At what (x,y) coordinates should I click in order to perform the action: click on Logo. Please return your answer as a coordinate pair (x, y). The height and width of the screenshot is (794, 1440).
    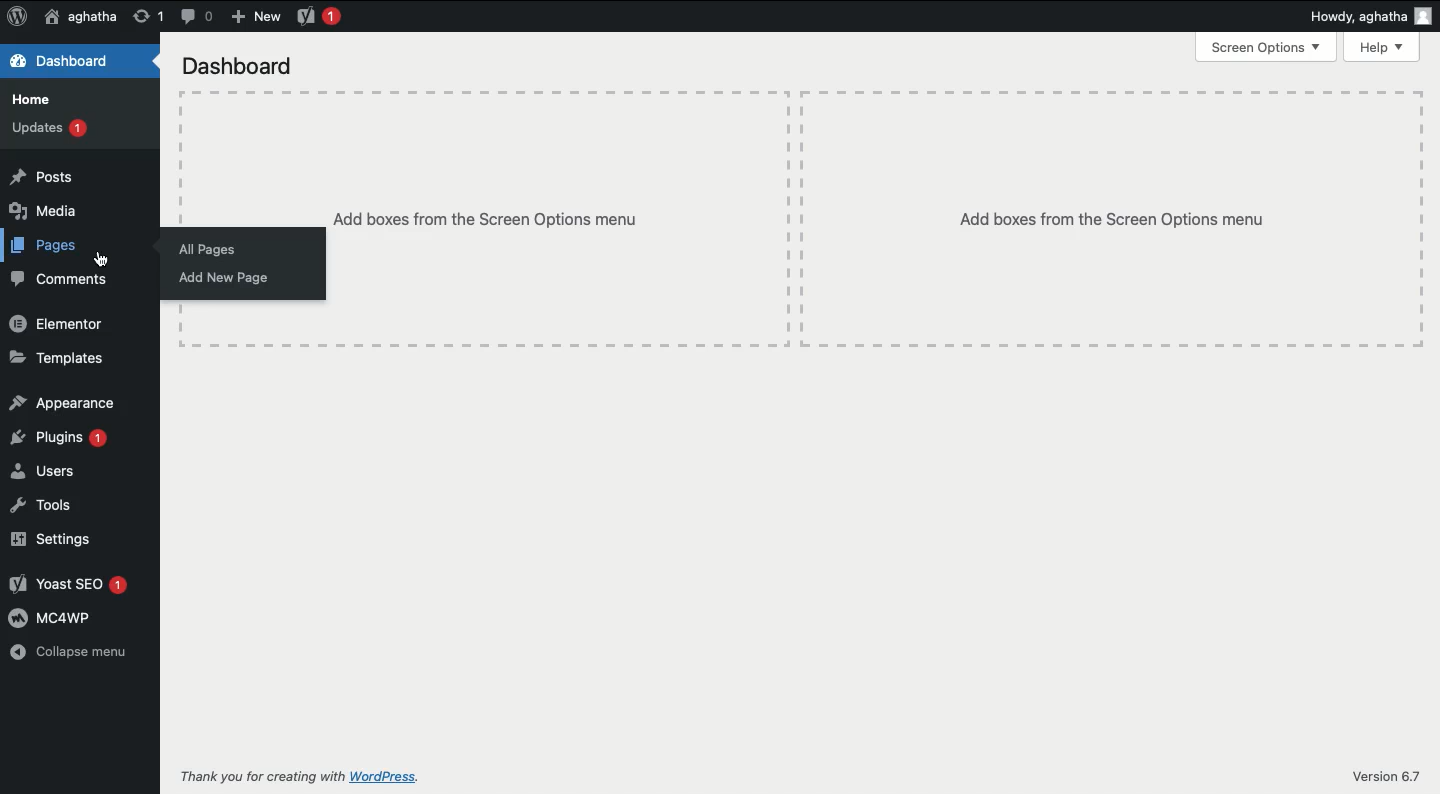
    Looking at the image, I should click on (17, 17).